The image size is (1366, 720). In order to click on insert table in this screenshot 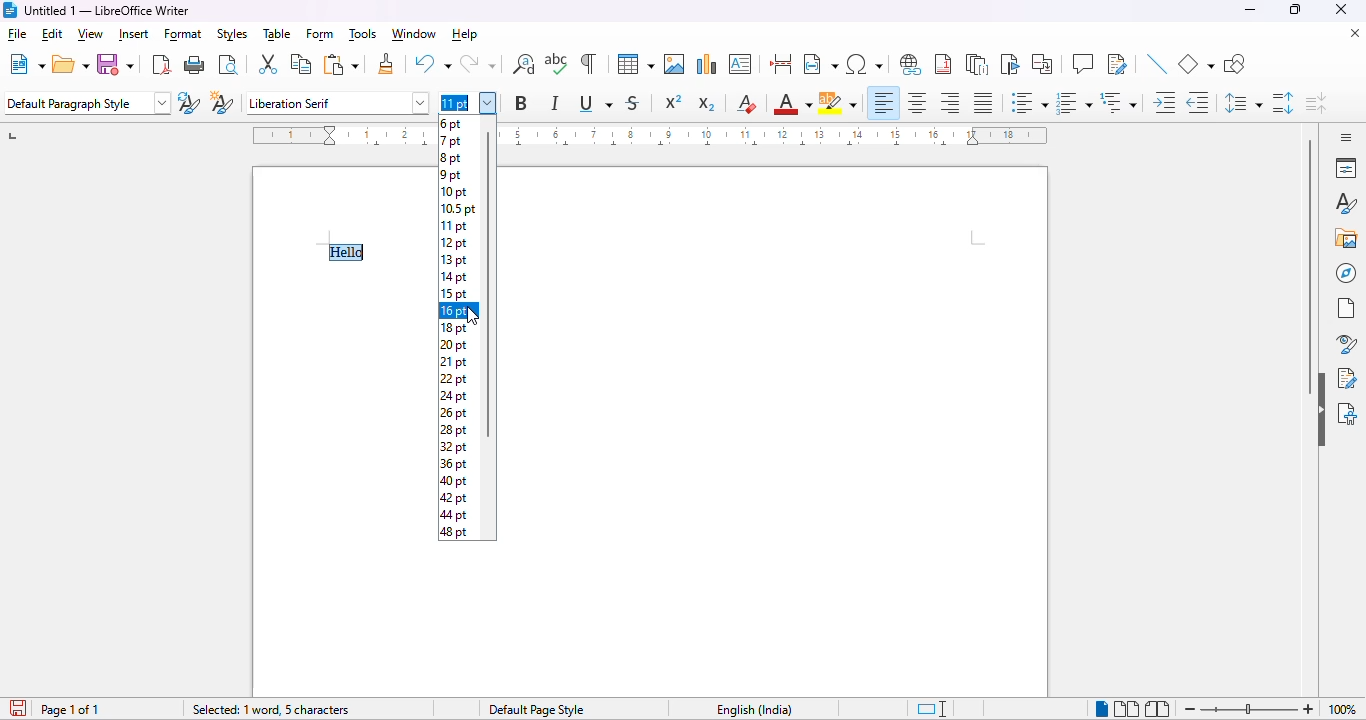, I will do `click(636, 64)`.